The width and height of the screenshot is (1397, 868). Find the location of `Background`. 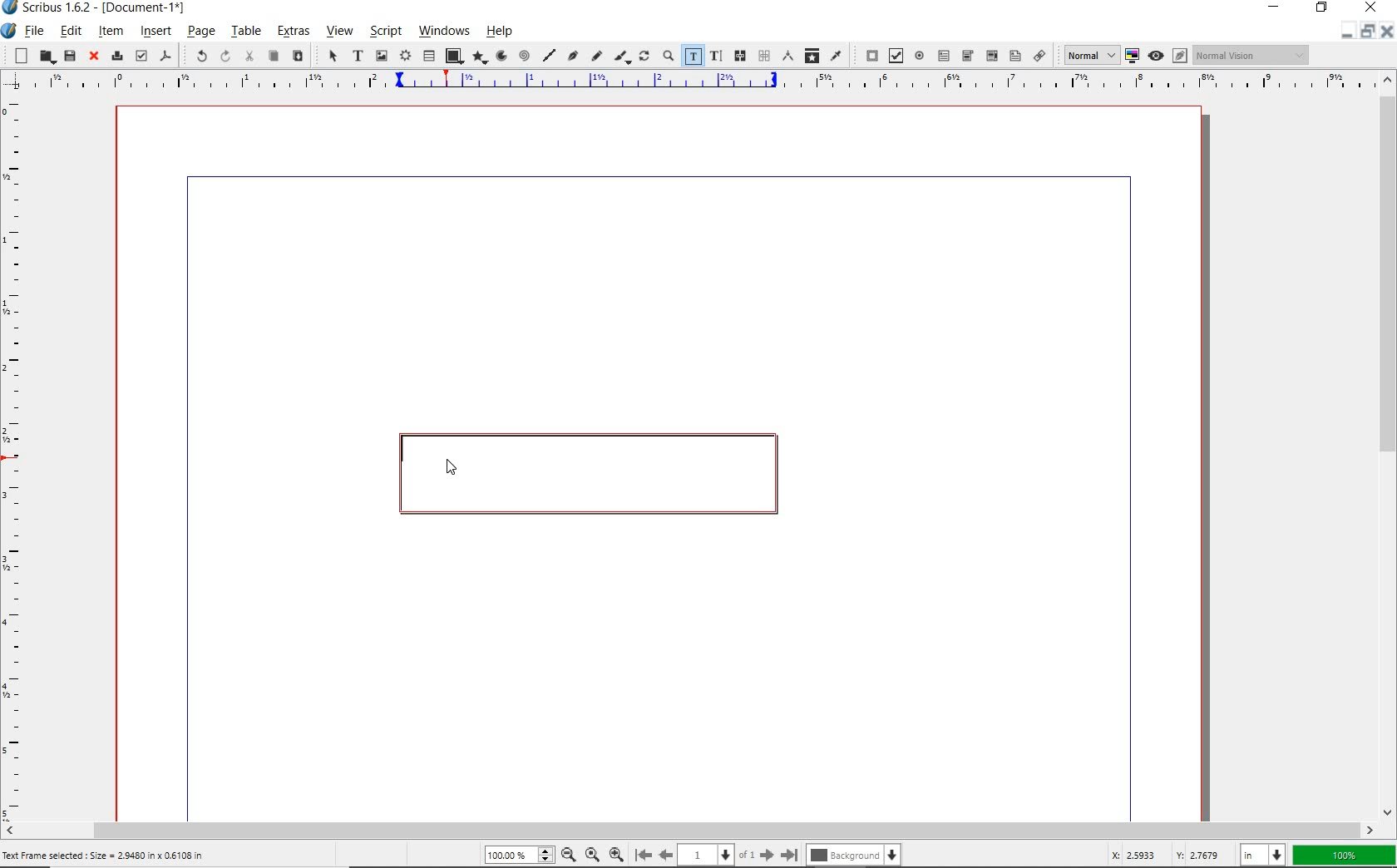

Background is located at coordinates (855, 856).